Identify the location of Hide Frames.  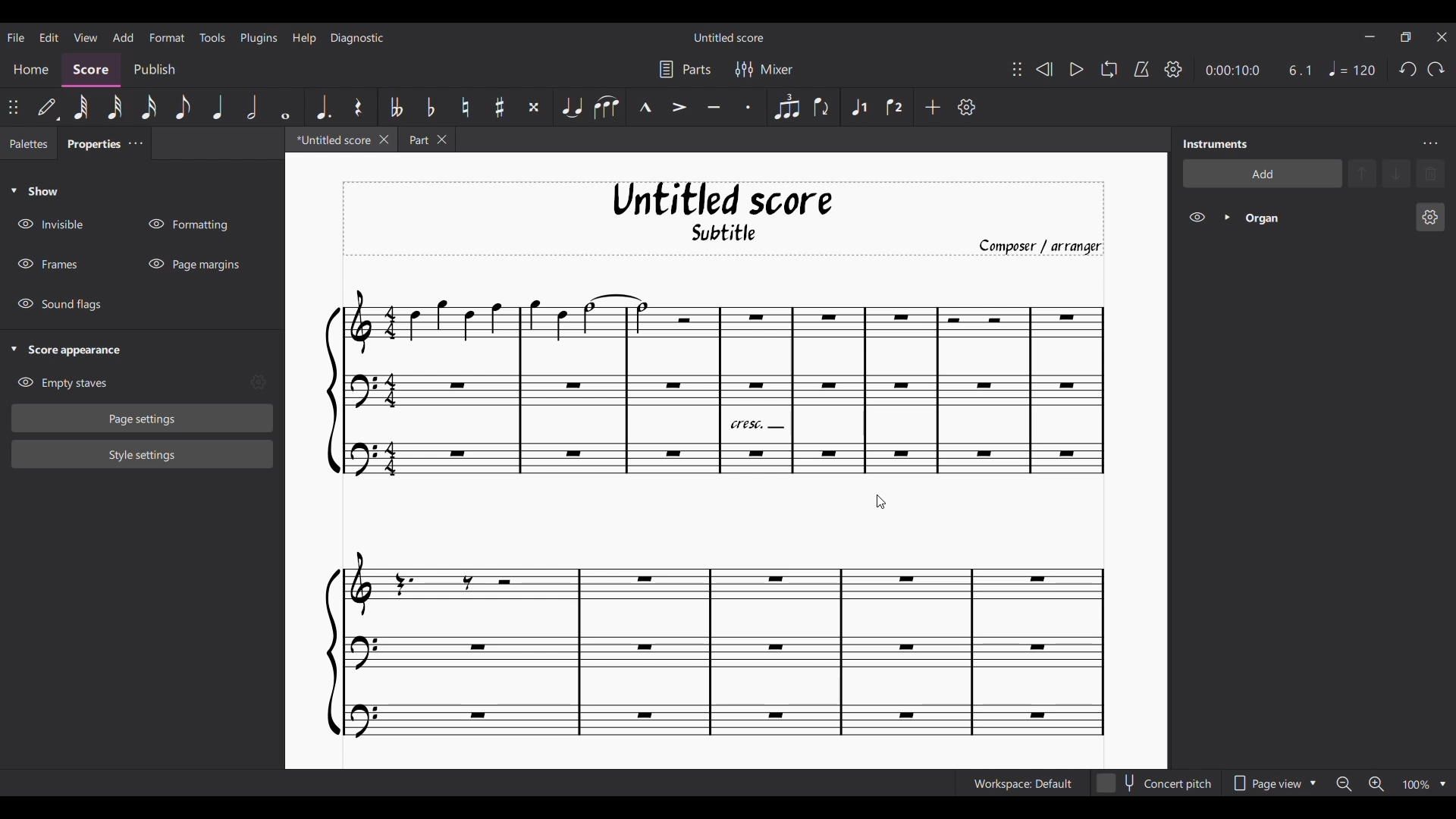
(48, 264).